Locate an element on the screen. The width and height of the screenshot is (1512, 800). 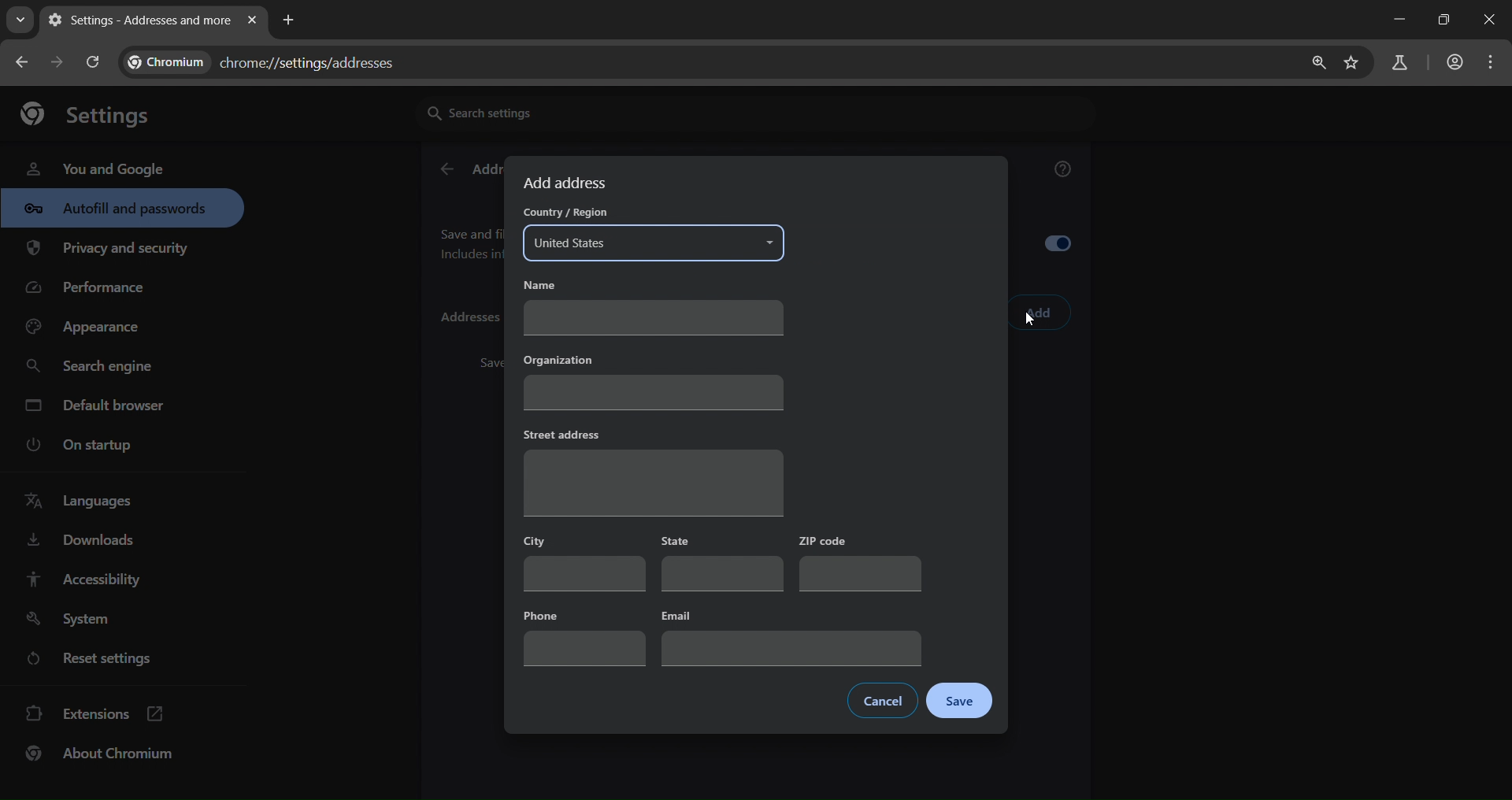
cursor is located at coordinates (1030, 323).